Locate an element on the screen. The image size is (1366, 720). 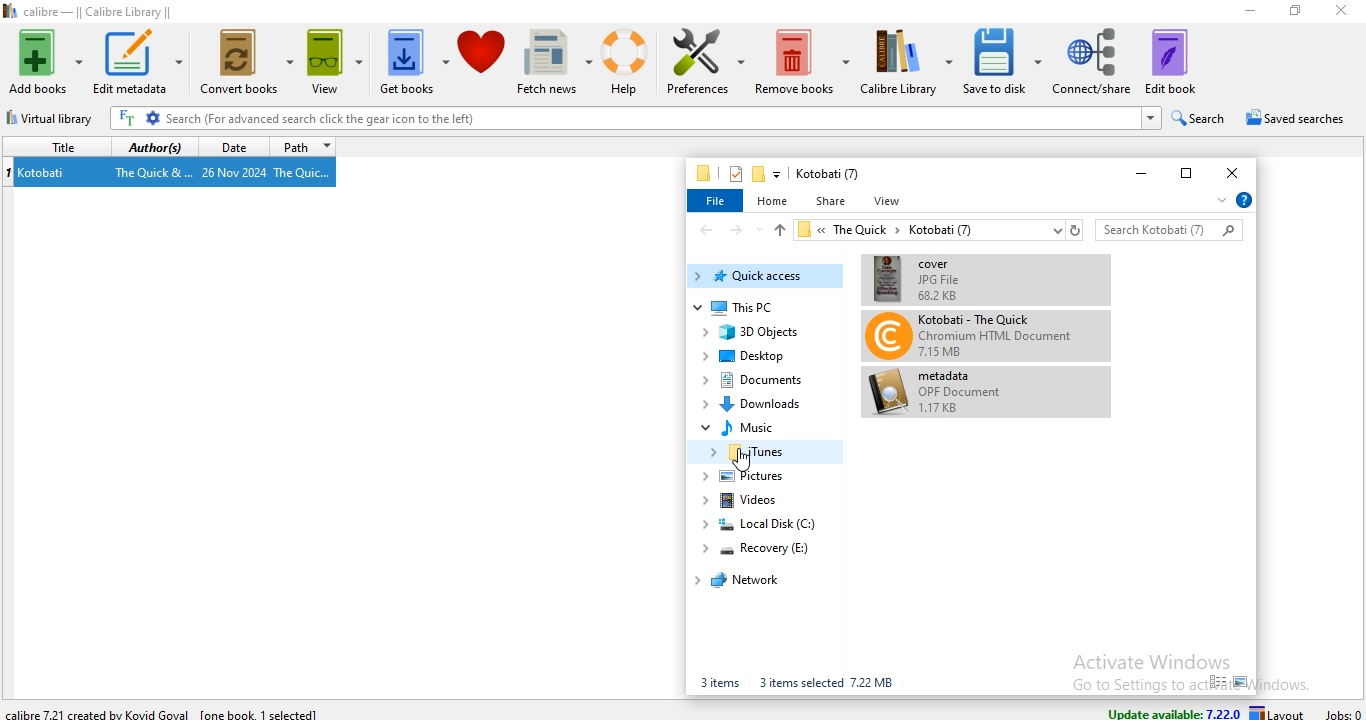
index no is located at coordinates (9, 172).